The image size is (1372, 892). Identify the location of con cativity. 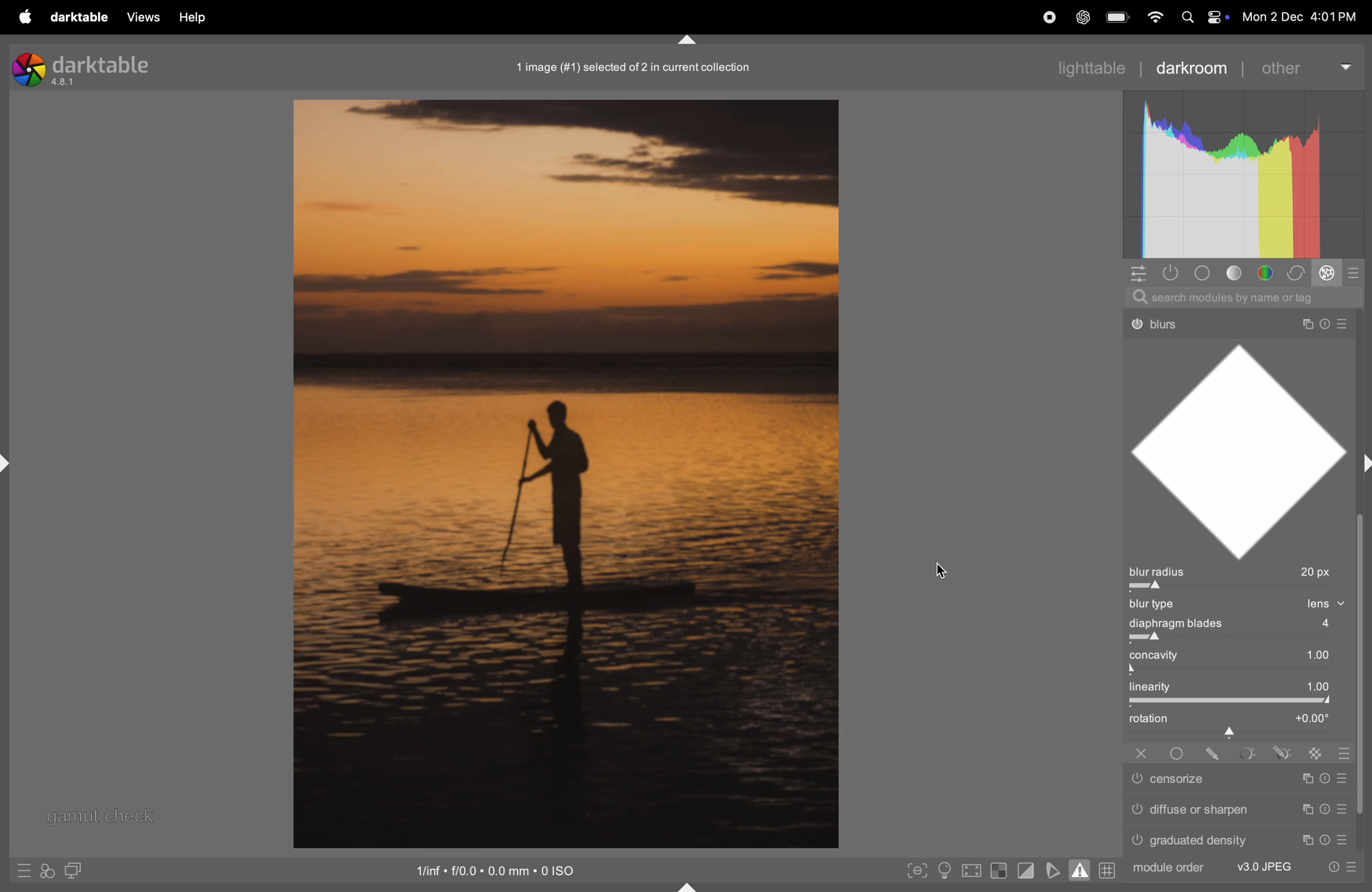
(1243, 655).